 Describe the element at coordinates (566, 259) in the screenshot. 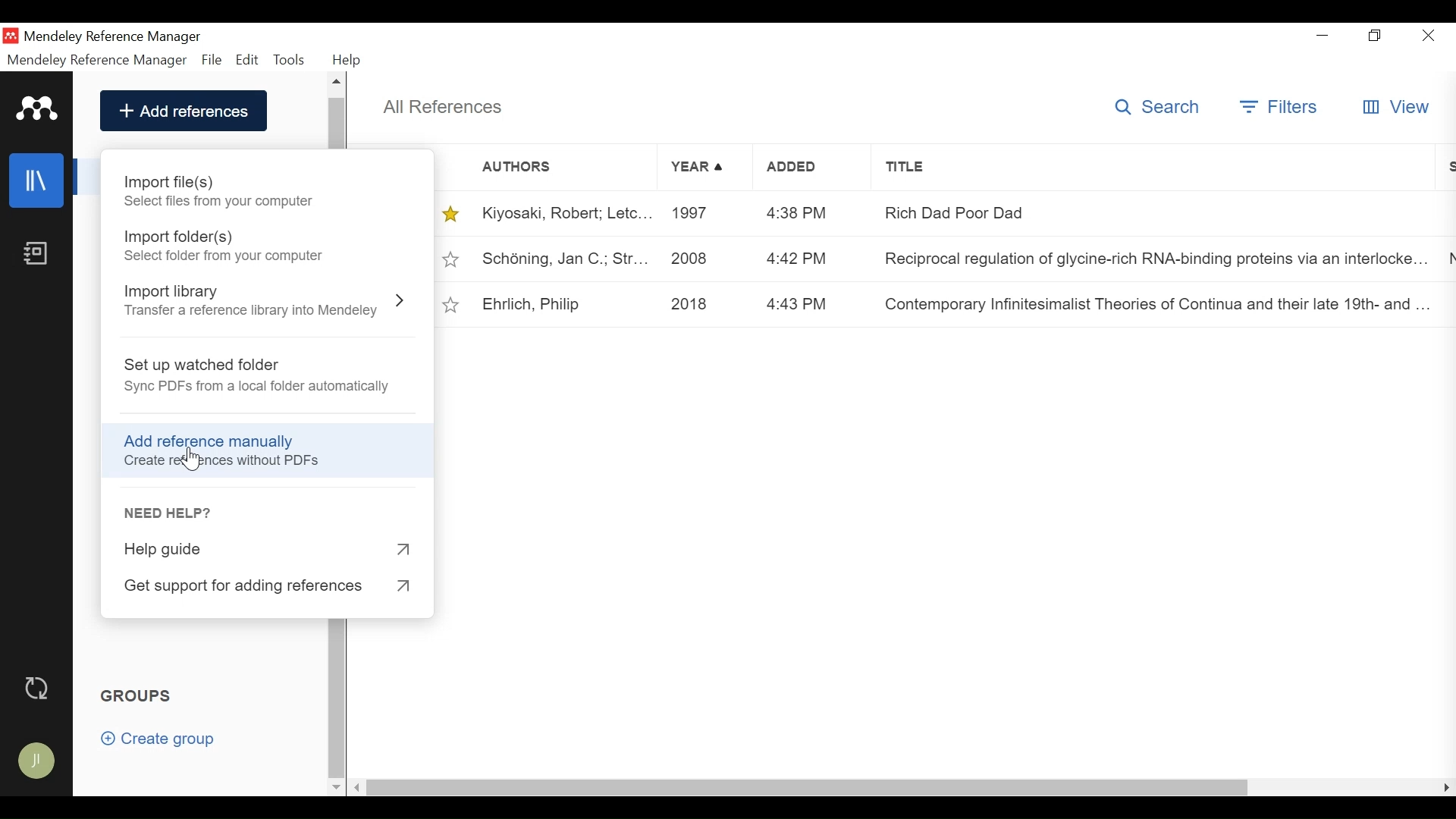

I see `Schéning, Jan C.; Str...` at that location.